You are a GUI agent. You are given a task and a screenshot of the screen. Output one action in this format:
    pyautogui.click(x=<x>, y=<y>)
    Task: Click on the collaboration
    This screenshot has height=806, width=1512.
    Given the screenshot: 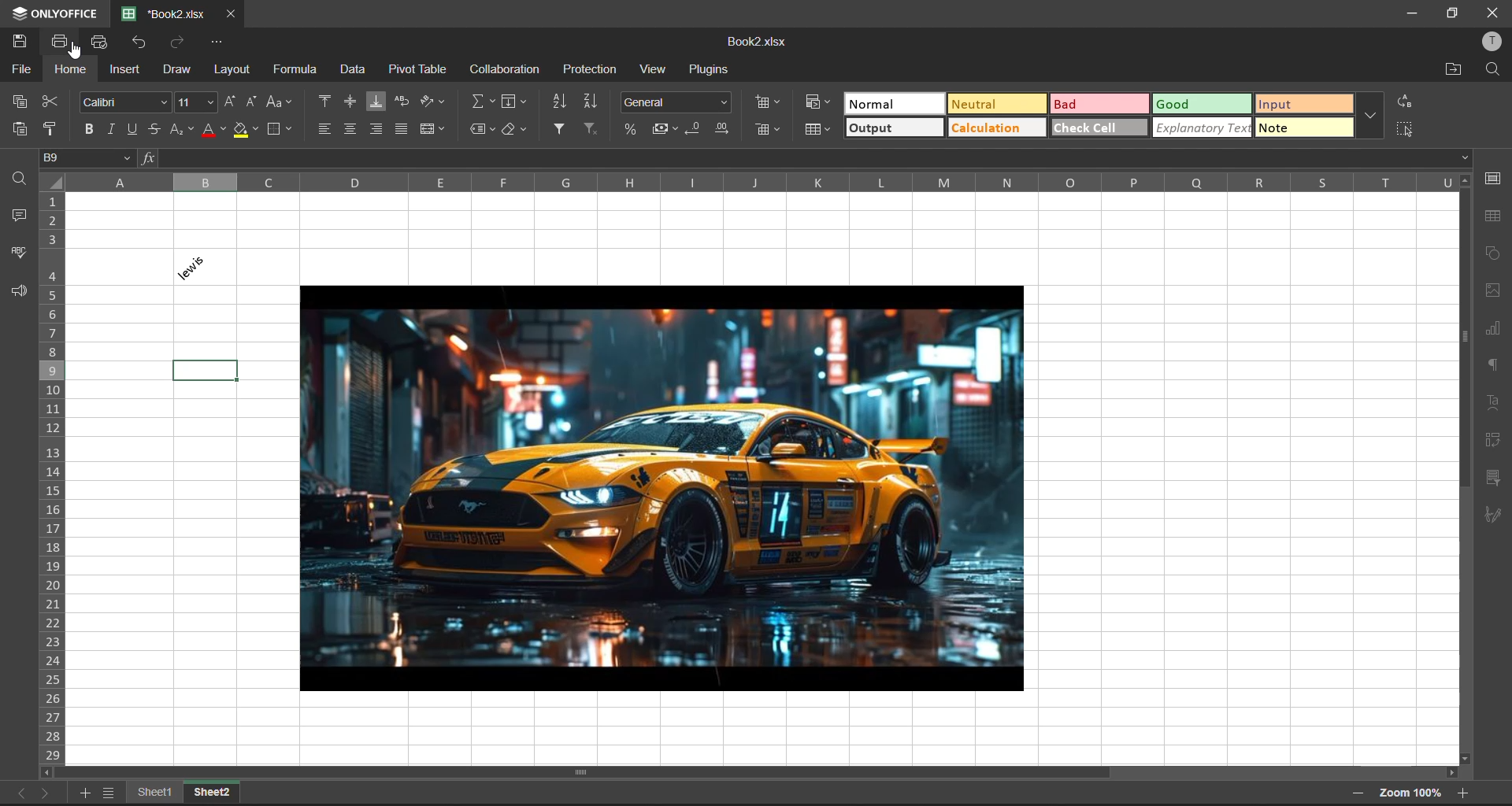 What is the action you would take?
    pyautogui.click(x=510, y=69)
    